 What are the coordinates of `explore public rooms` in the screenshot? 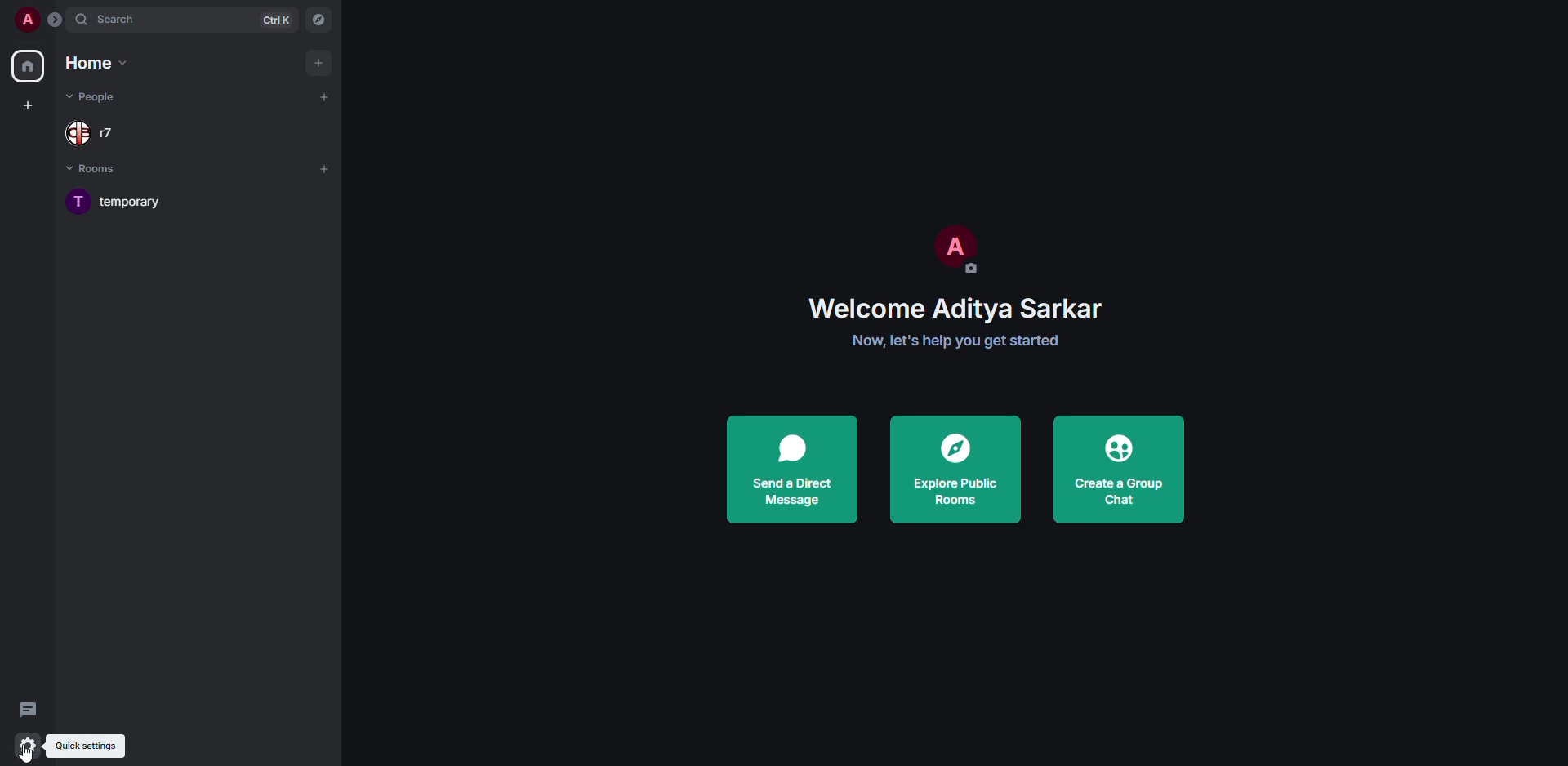 It's located at (959, 470).